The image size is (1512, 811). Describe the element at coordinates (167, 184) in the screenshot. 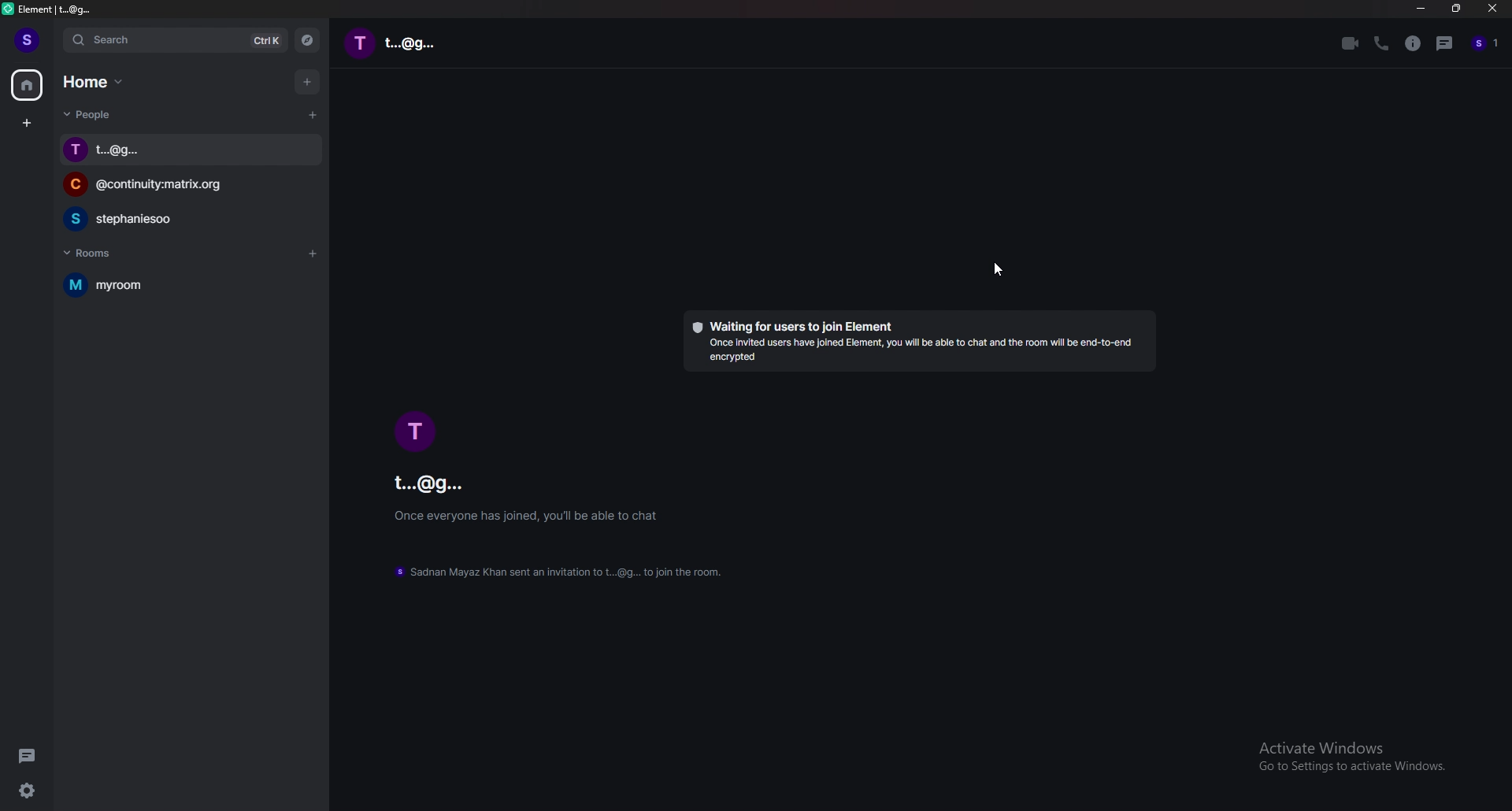

I see `chat` at that location.